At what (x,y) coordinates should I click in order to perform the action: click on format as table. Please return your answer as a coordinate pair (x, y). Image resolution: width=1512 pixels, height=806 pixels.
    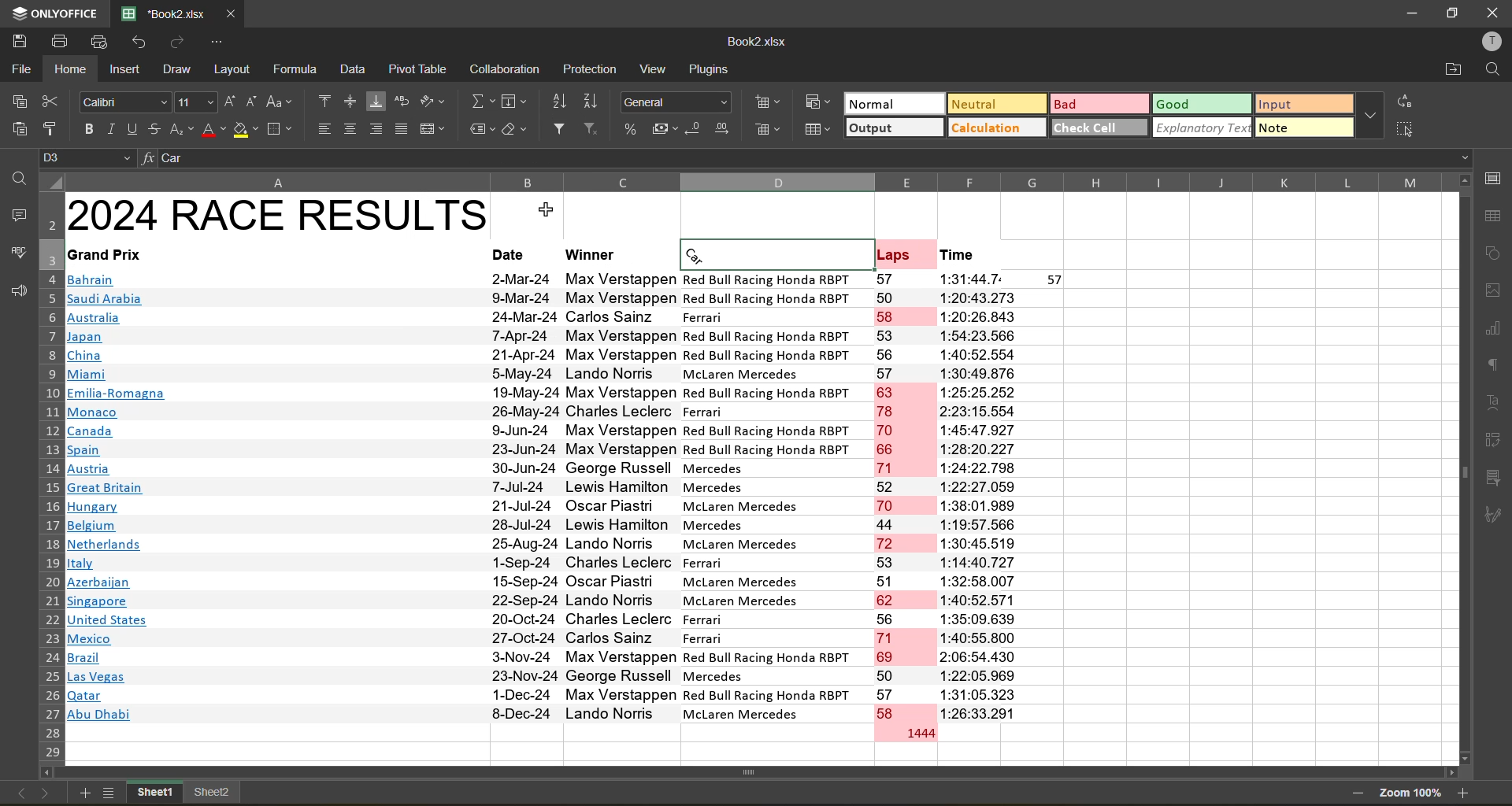
    Looking at the image, I should click on (818, 130).